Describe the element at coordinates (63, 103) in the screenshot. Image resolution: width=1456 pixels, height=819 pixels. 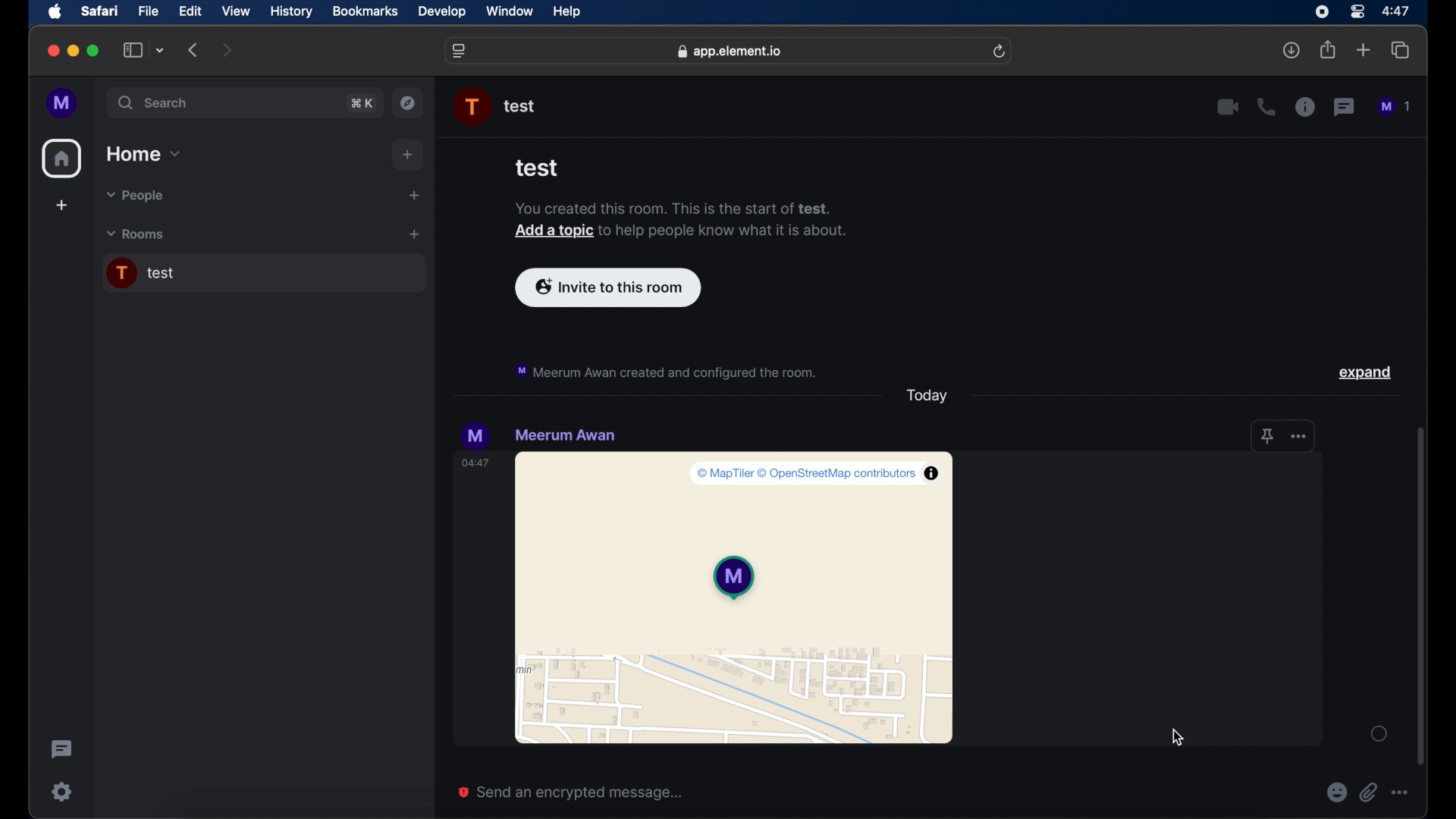
I see `profile` at that location.